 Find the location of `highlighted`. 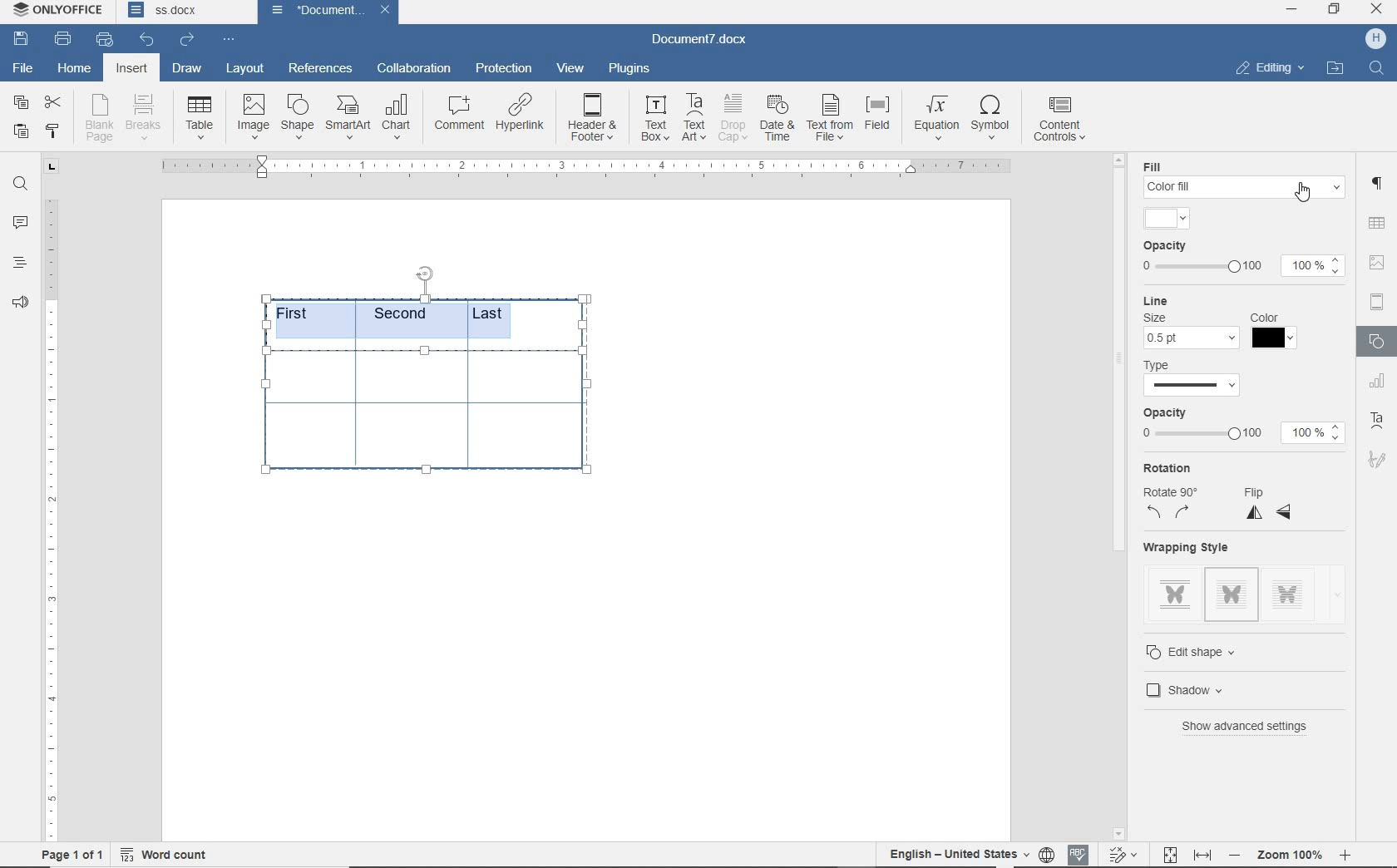

highlighted is located at coordinates (398, 318).